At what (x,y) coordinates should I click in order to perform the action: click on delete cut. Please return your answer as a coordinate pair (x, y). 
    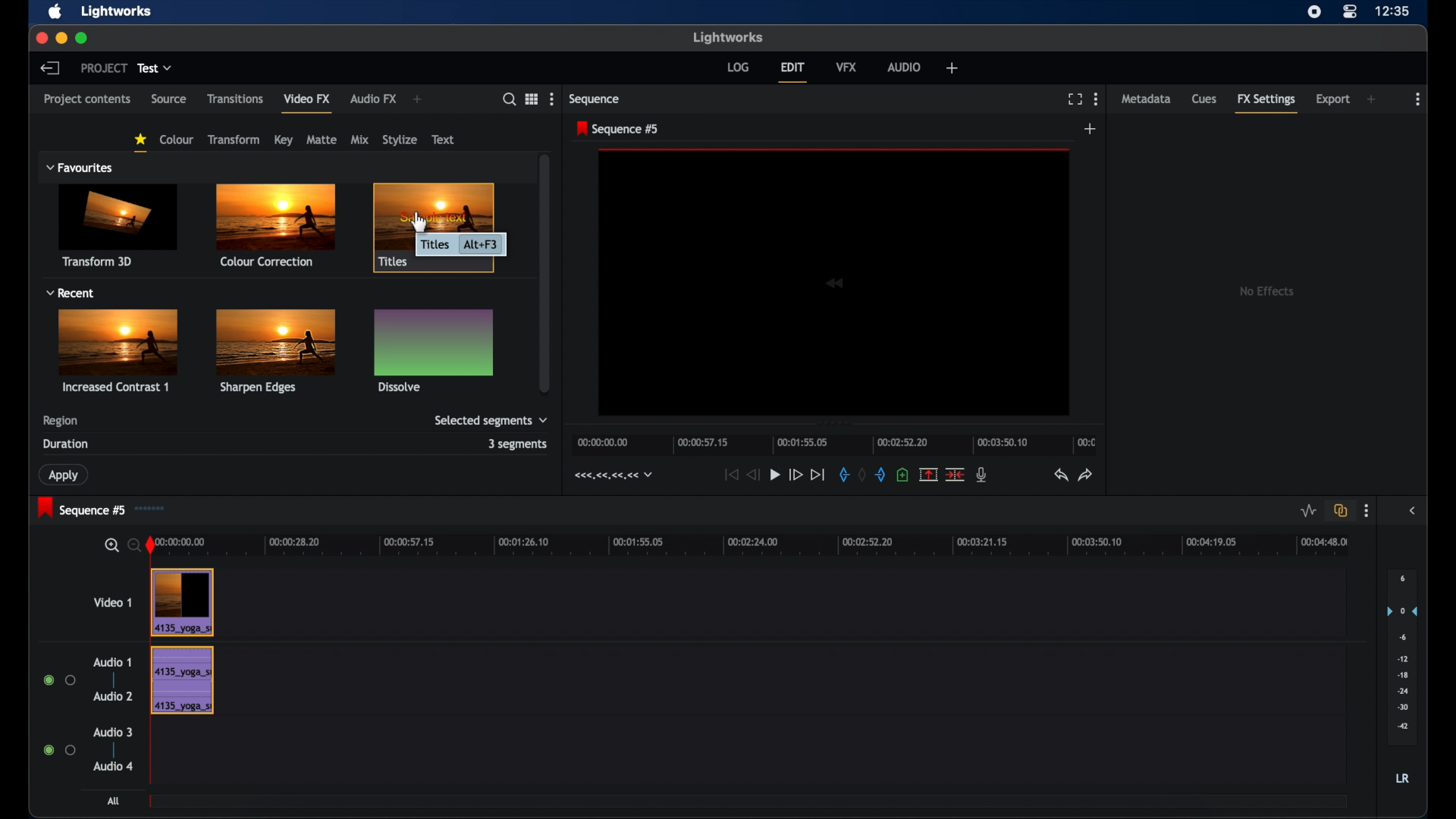
    Looking at the image, I should click on (956, 474).